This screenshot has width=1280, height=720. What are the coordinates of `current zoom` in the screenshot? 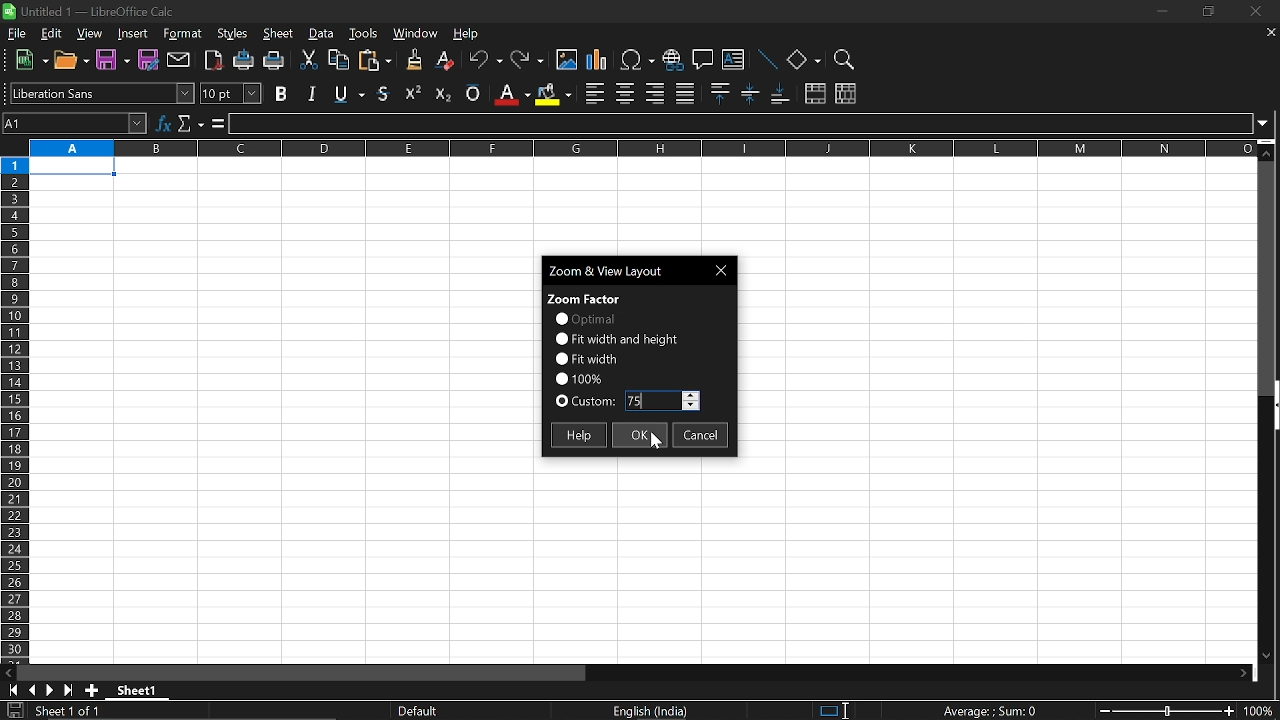 It's located at (1262, 713).